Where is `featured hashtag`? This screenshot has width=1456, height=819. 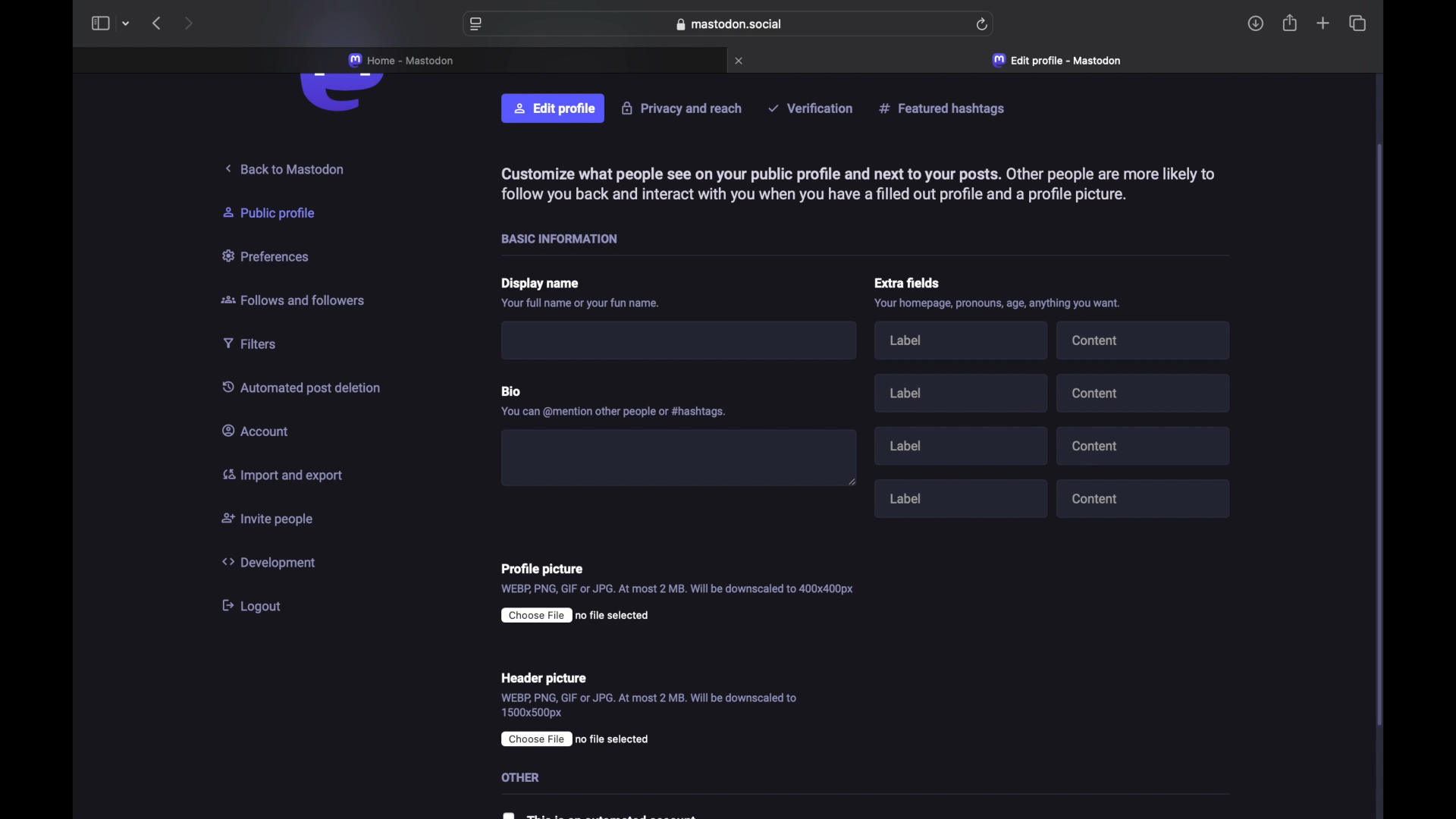 featured hashtag is located at coordinates (946, 108).